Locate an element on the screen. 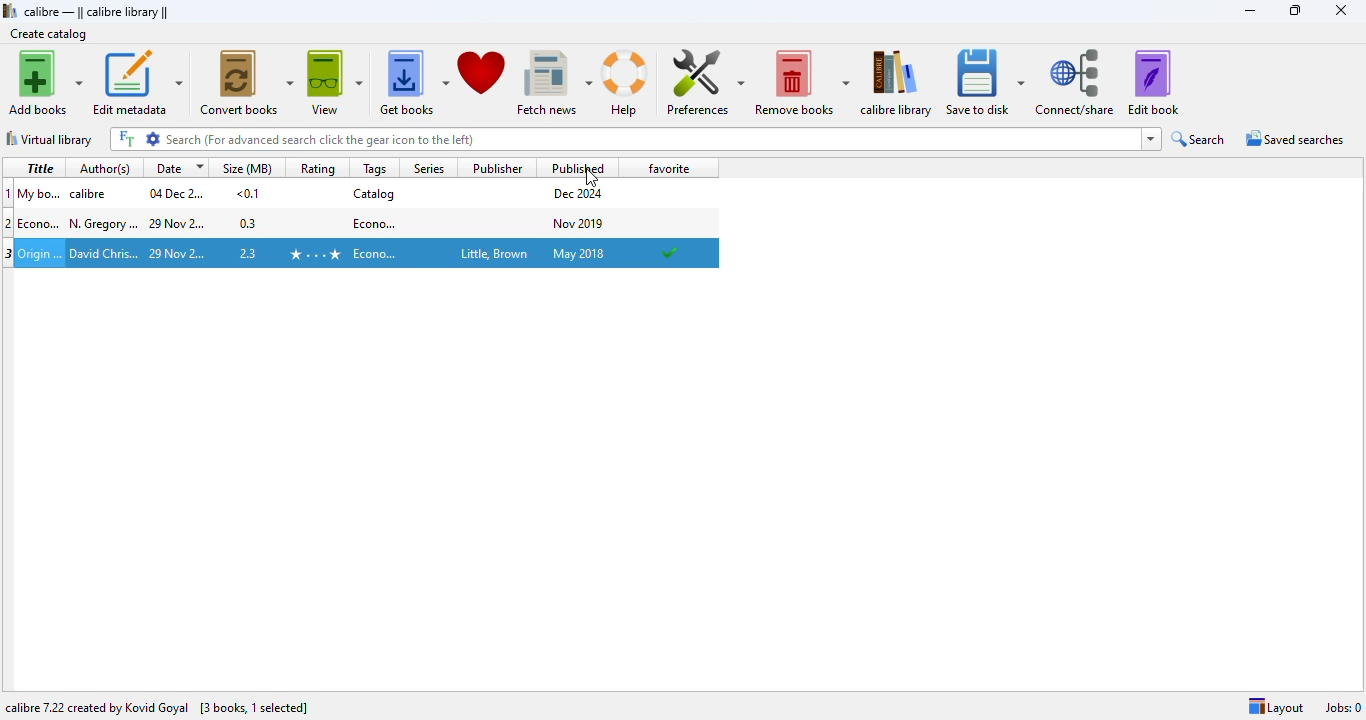  publish date is located at coordinates (578, 194).